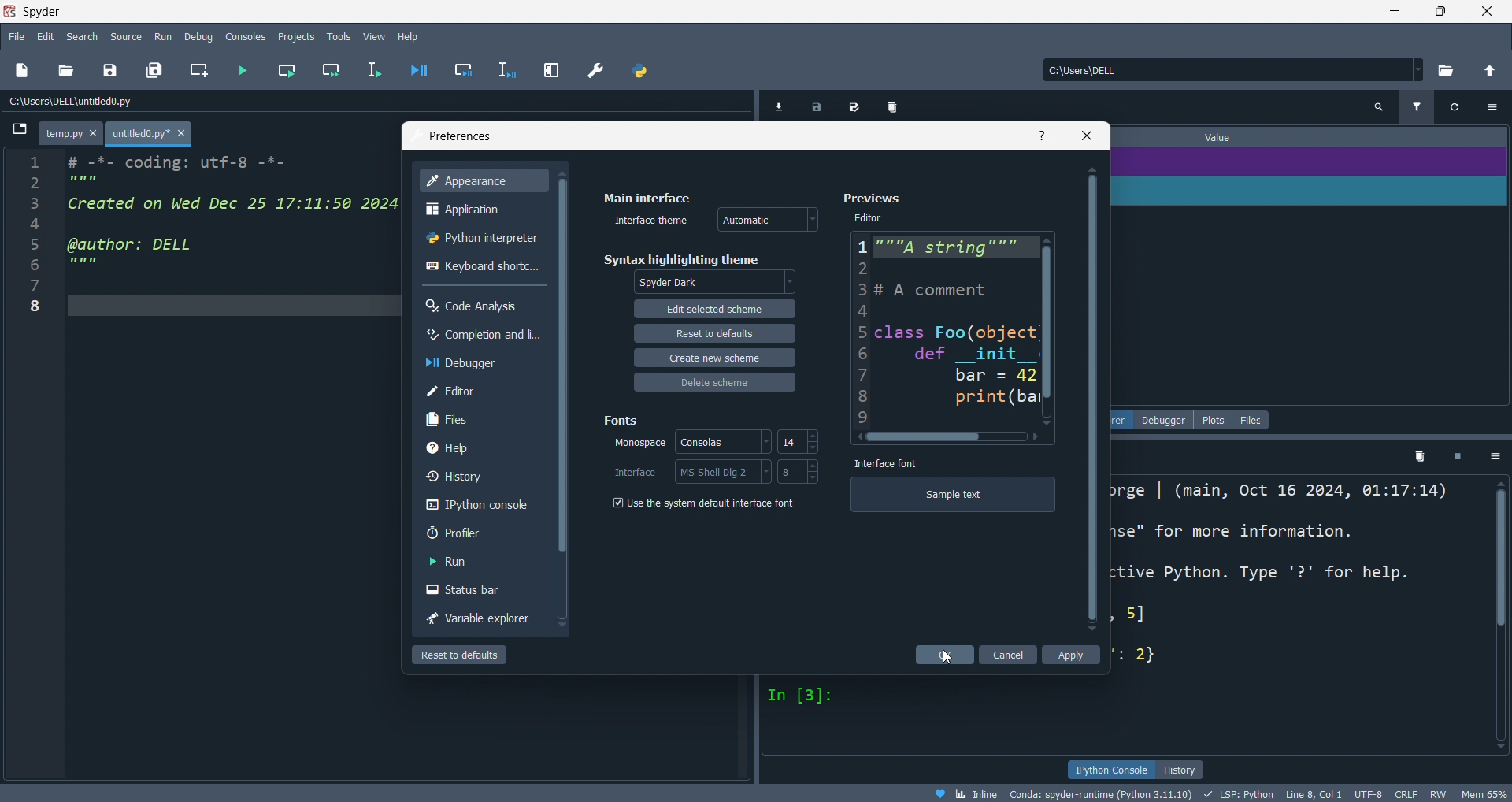 This screenshot has width=1512, height=802. I want to click on Main interface, so click(659, 195).